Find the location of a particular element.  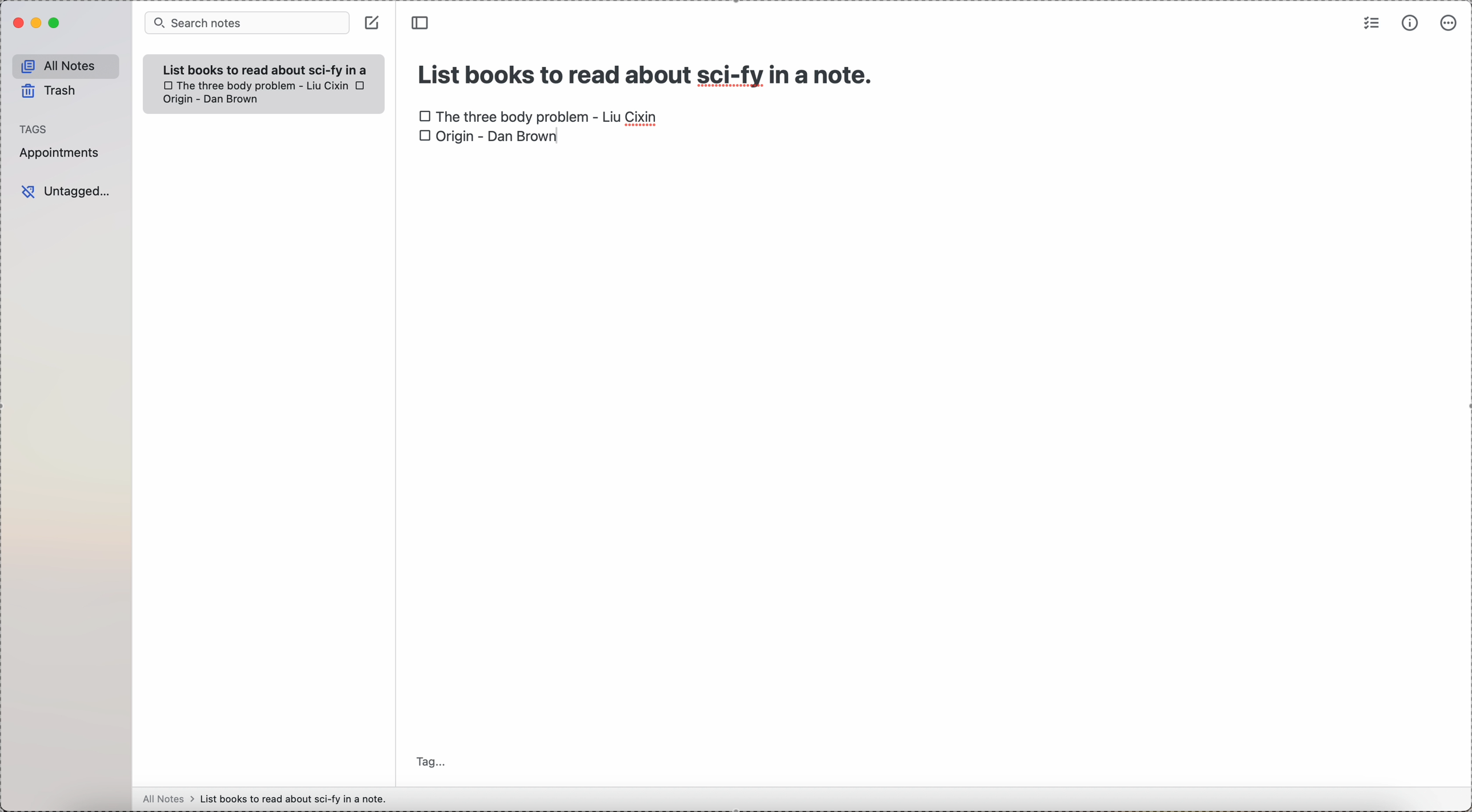

trash is located at coordinates (50, 91).